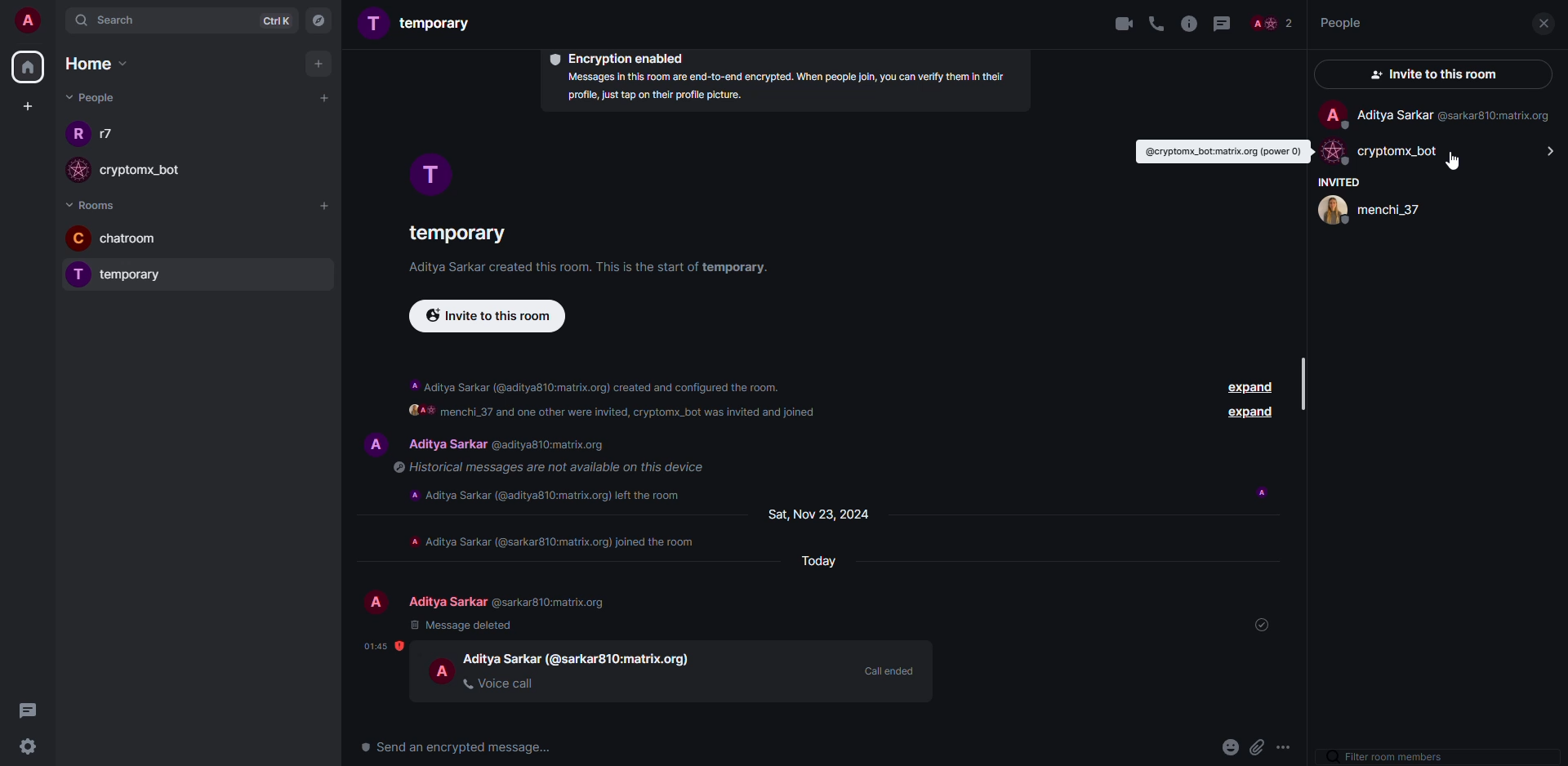 This screenshot has width=1568, height=766. I want to click on more, so click(1290, 746).